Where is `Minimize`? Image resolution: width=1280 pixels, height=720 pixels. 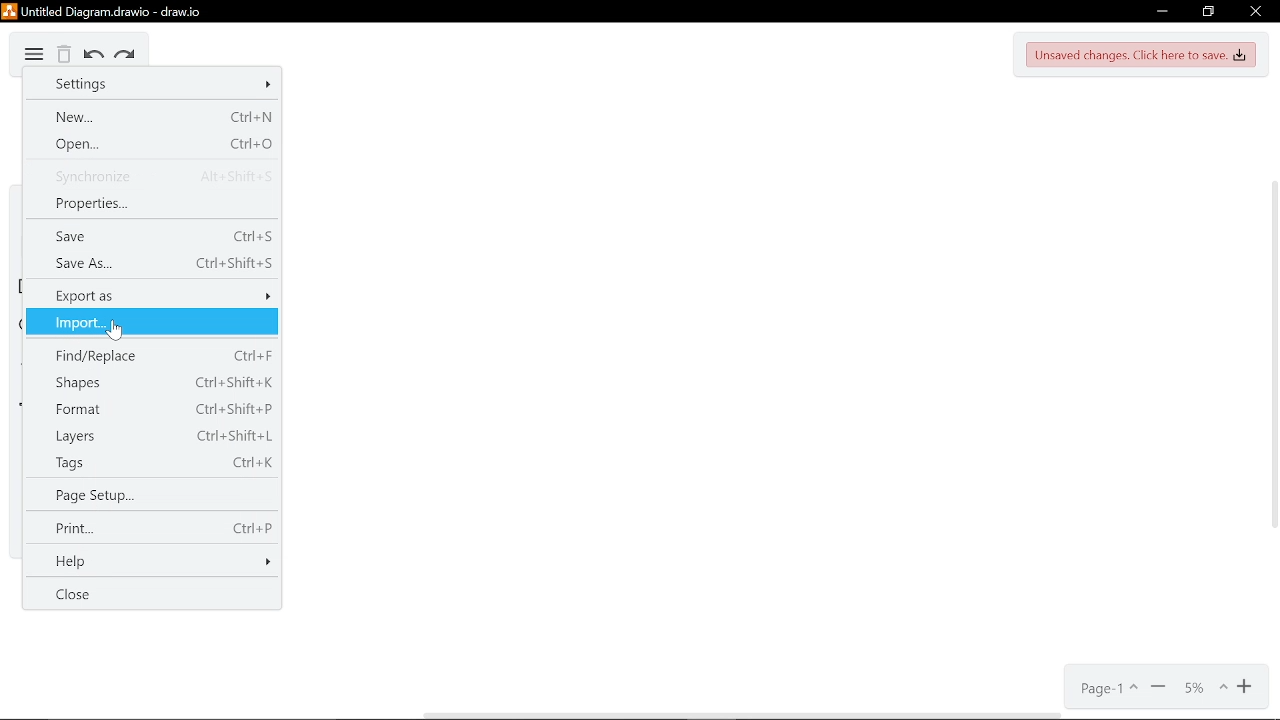
Minimize is located at coordinates (1164, 10).